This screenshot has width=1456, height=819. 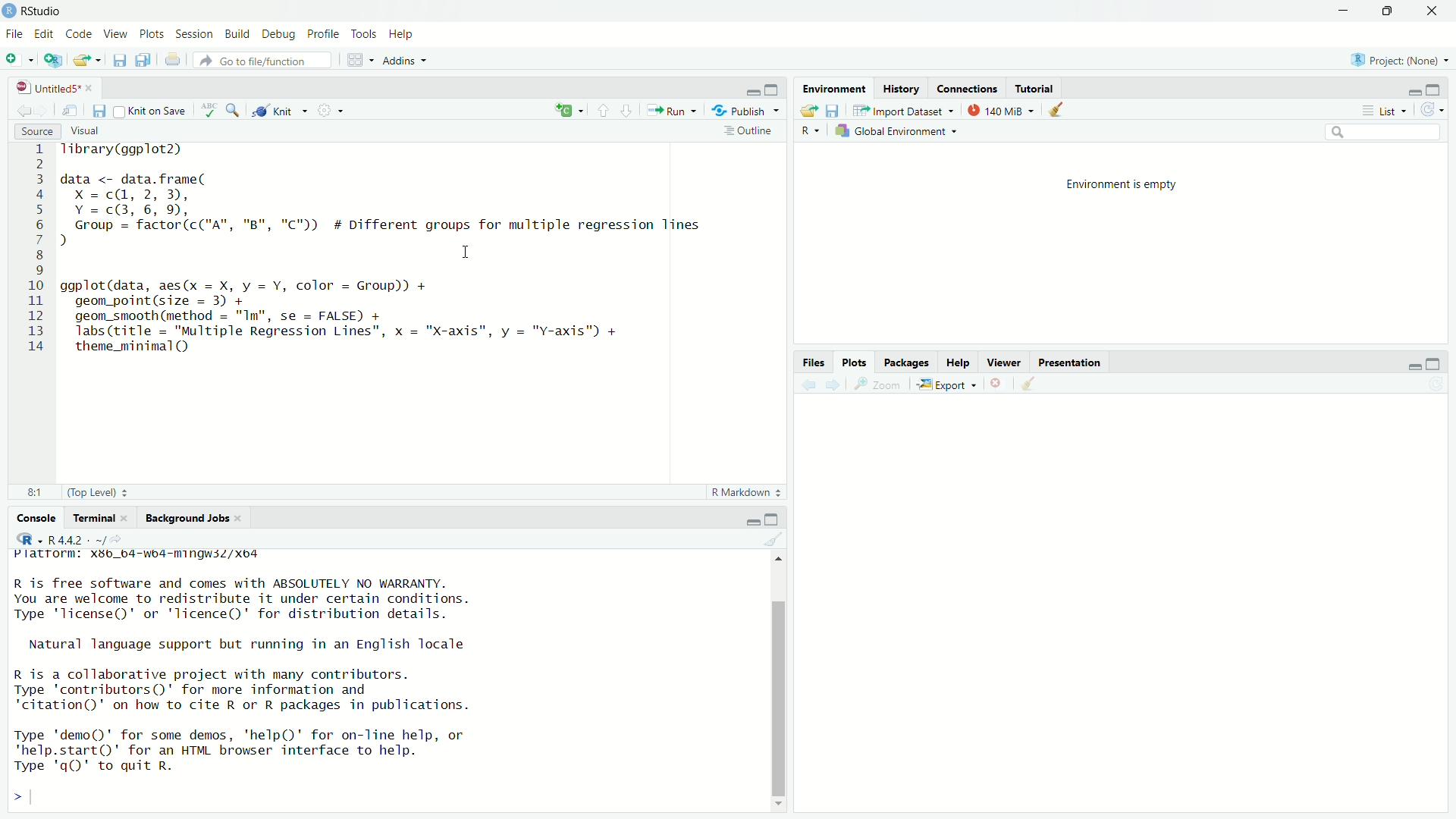 What do you see at coordinates (945, 384) in the screenshot?
I see `Export «` at bounding box center [945, 384].